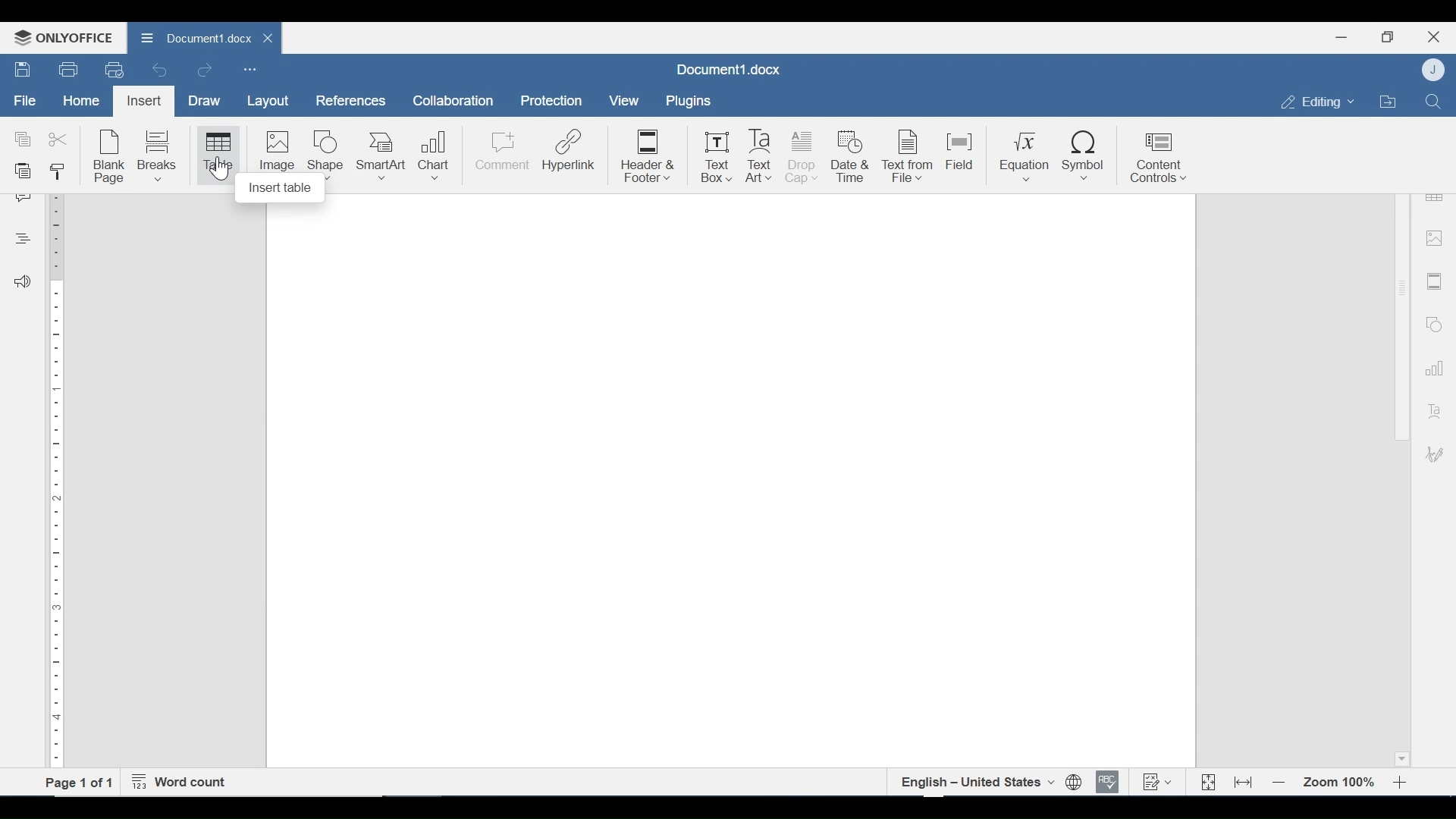 This screenshot has height=819, width=1456. Describe the element at coordinates (1435, 196) in the screenshot. I see `Table Settings` at that location.